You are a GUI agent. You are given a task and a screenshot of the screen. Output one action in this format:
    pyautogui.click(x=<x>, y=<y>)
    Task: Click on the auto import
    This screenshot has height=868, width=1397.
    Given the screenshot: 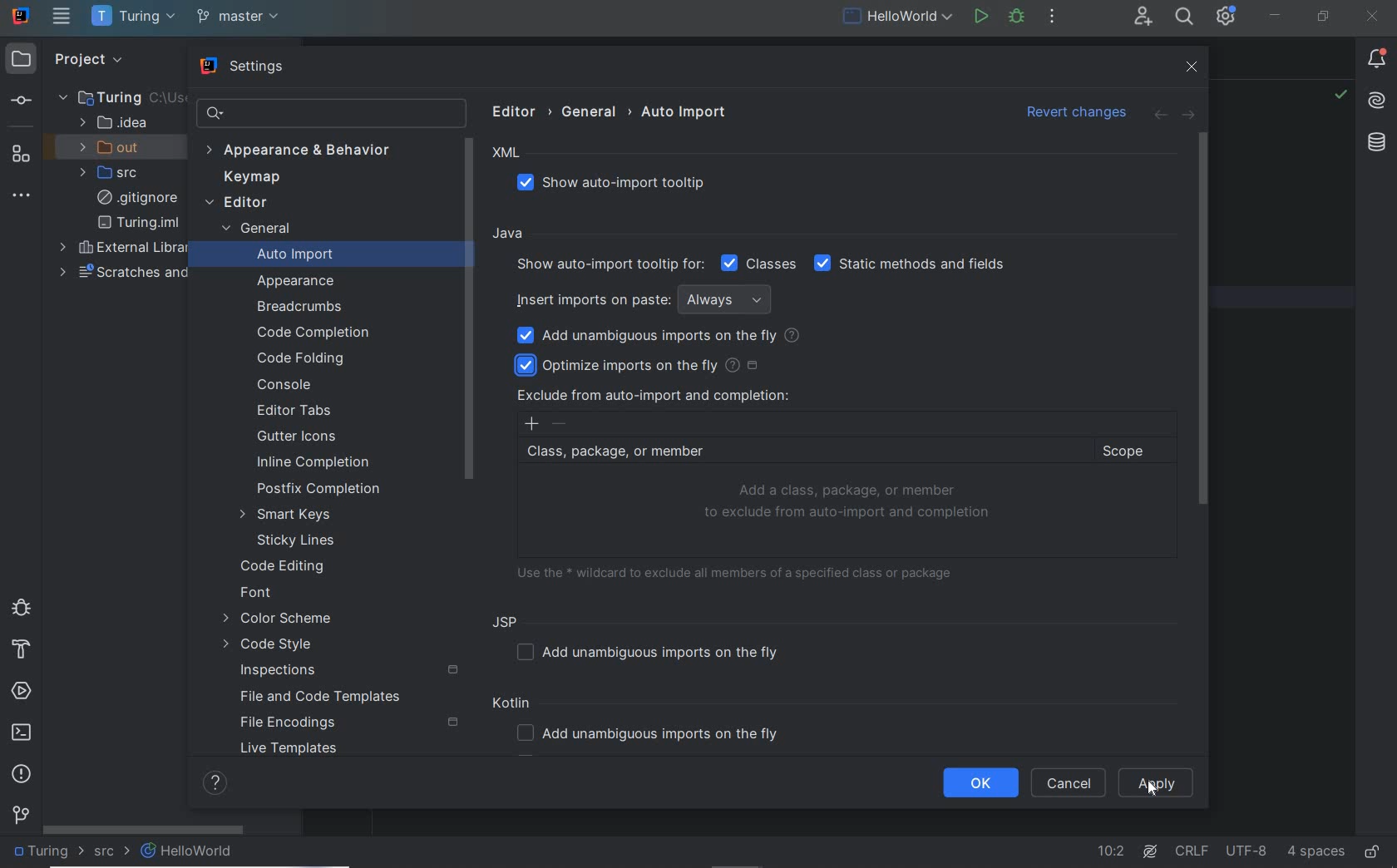 What is the action you would take?
    pyautogui.click(x=685, y=111)
    